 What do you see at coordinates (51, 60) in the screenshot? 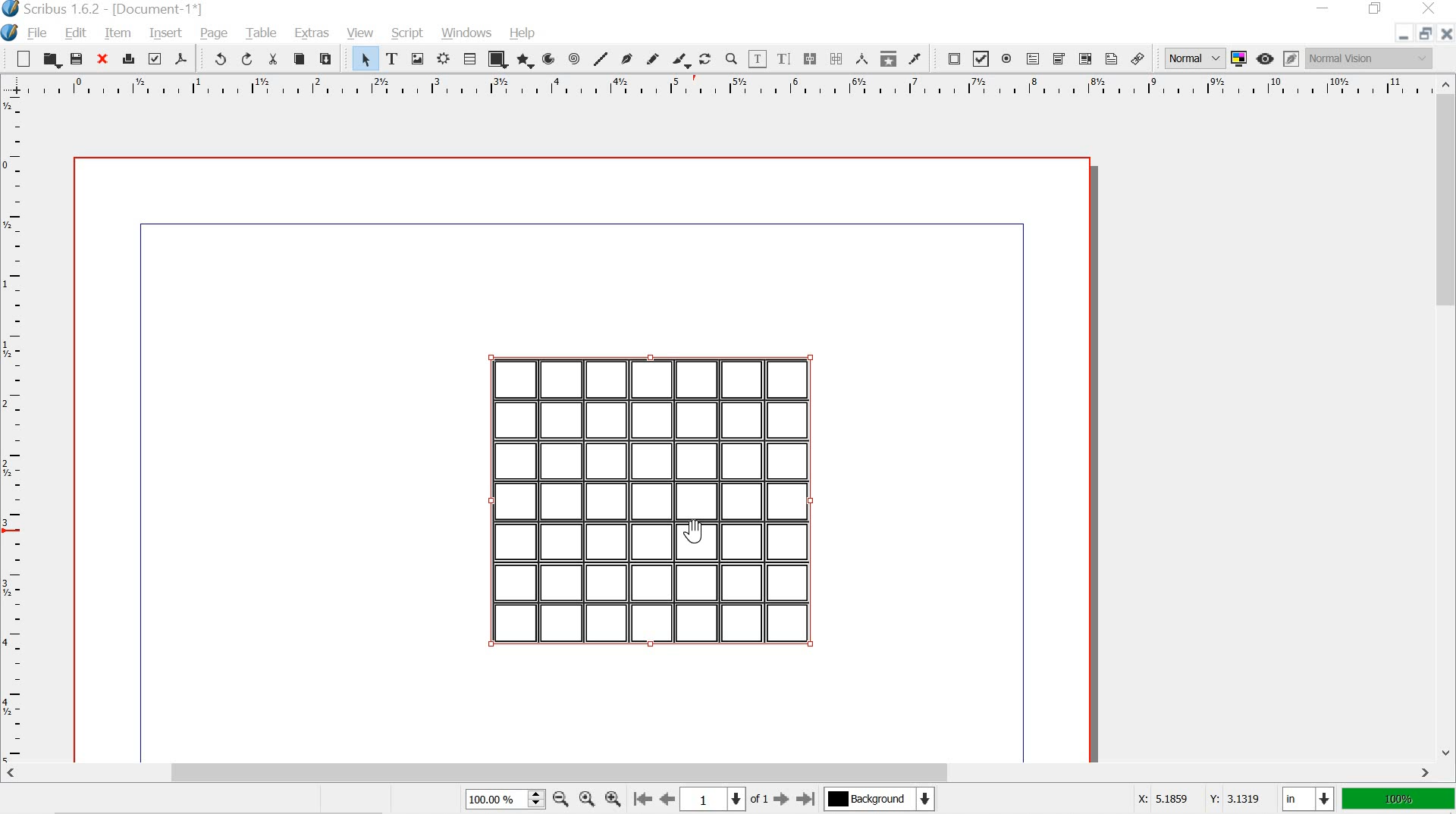
I see `open` at bounding box center [51, 60].